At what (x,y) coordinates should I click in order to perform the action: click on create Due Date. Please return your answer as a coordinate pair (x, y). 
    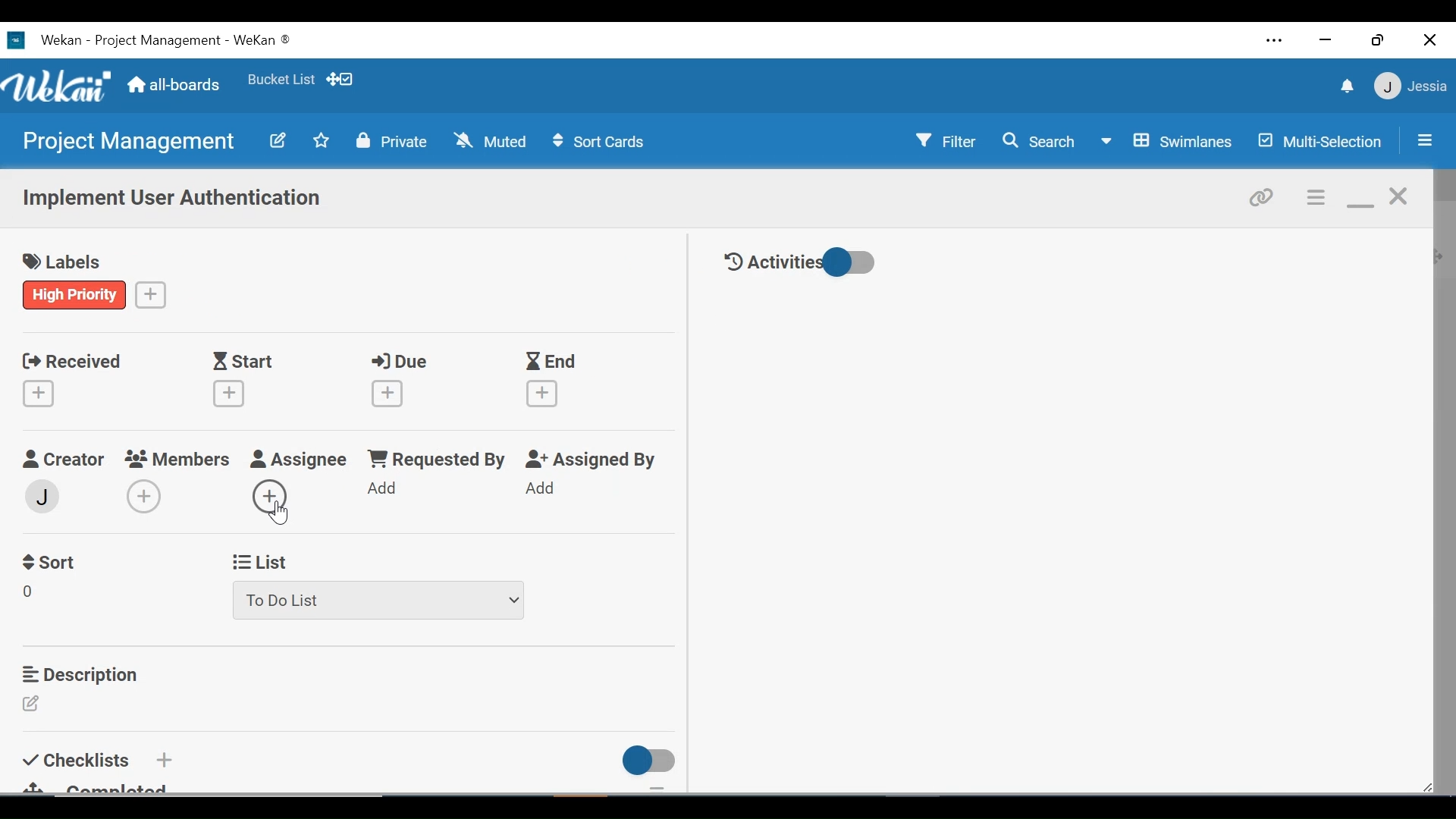
    Looking at the image, I should click on (388, 394).